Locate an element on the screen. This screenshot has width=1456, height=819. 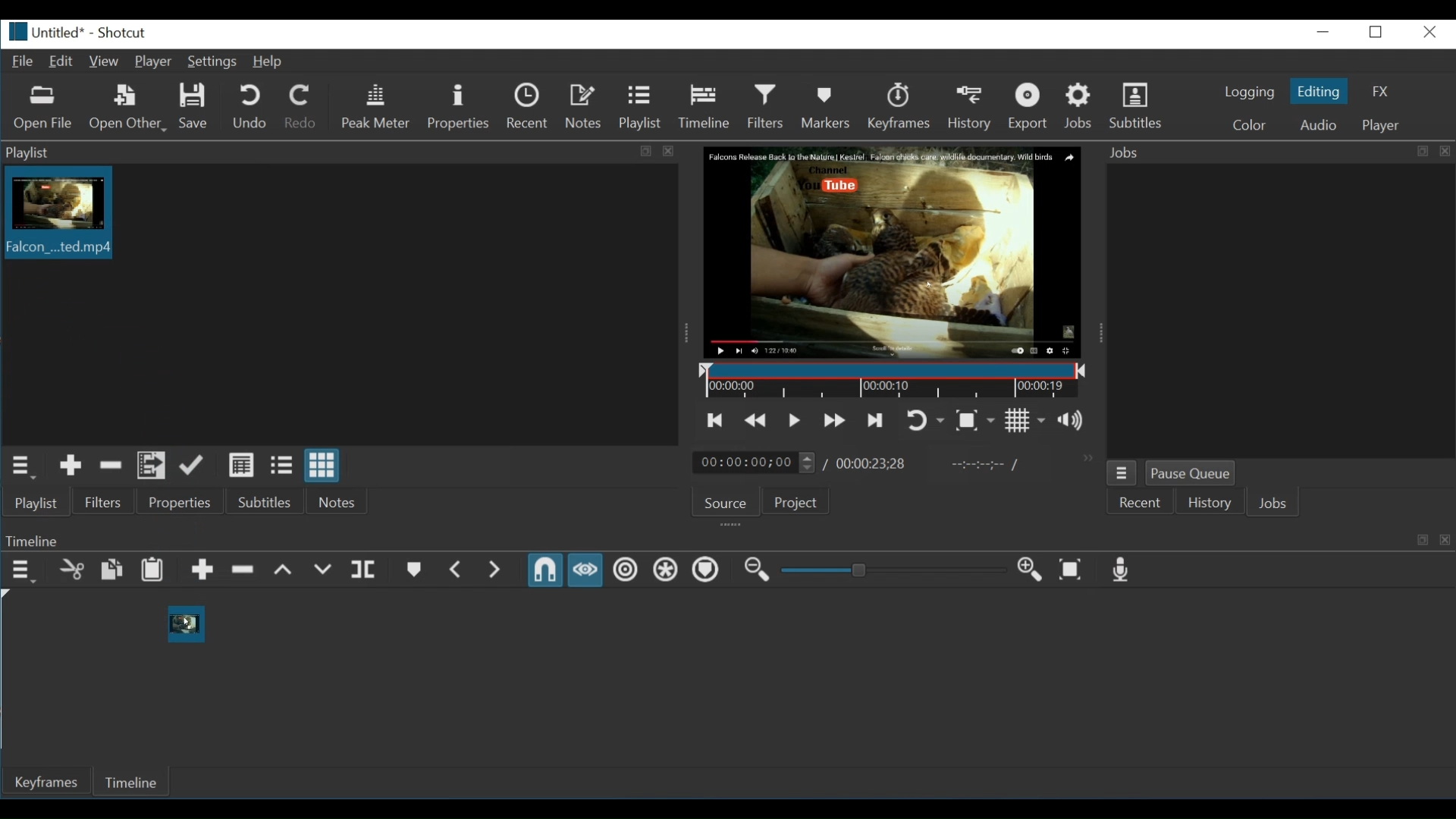
File is located at coordinates (20, 60).